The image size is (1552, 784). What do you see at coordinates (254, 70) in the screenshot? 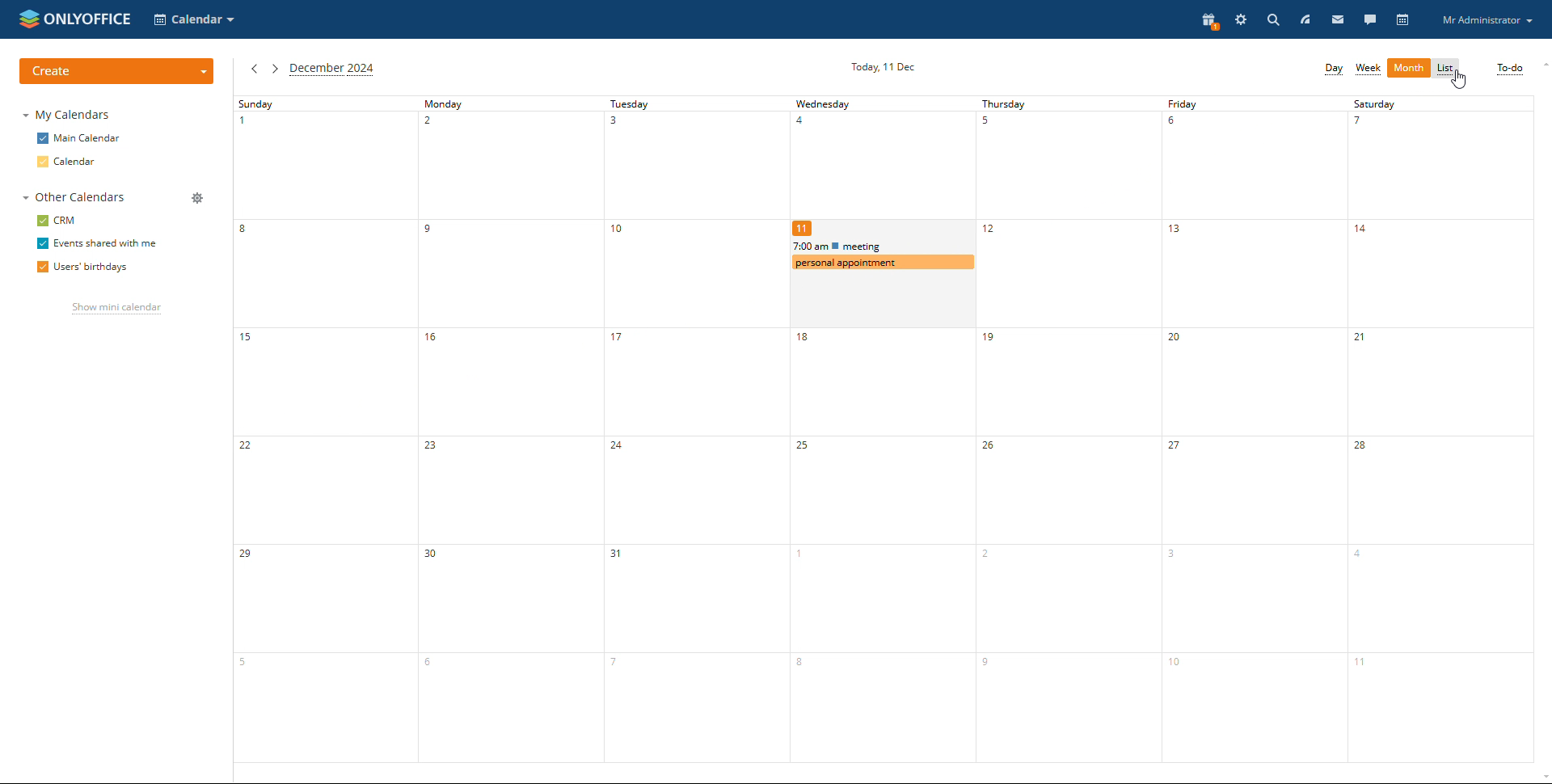
I see `previous month` at bounding box center [254, 70].